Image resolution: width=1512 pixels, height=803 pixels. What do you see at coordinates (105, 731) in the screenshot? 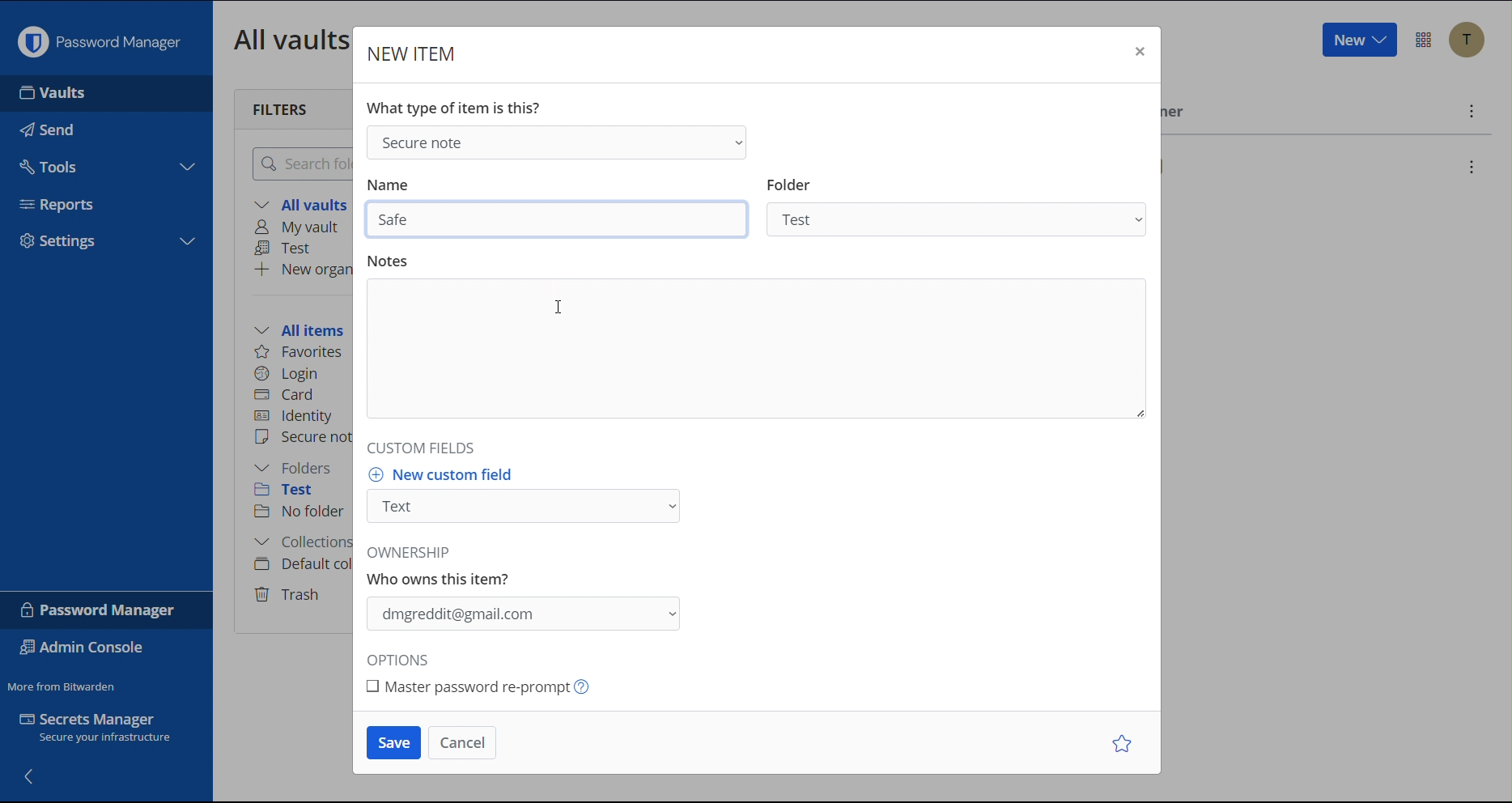
I see `Secrets Manager` at bounding box center [105, 731].